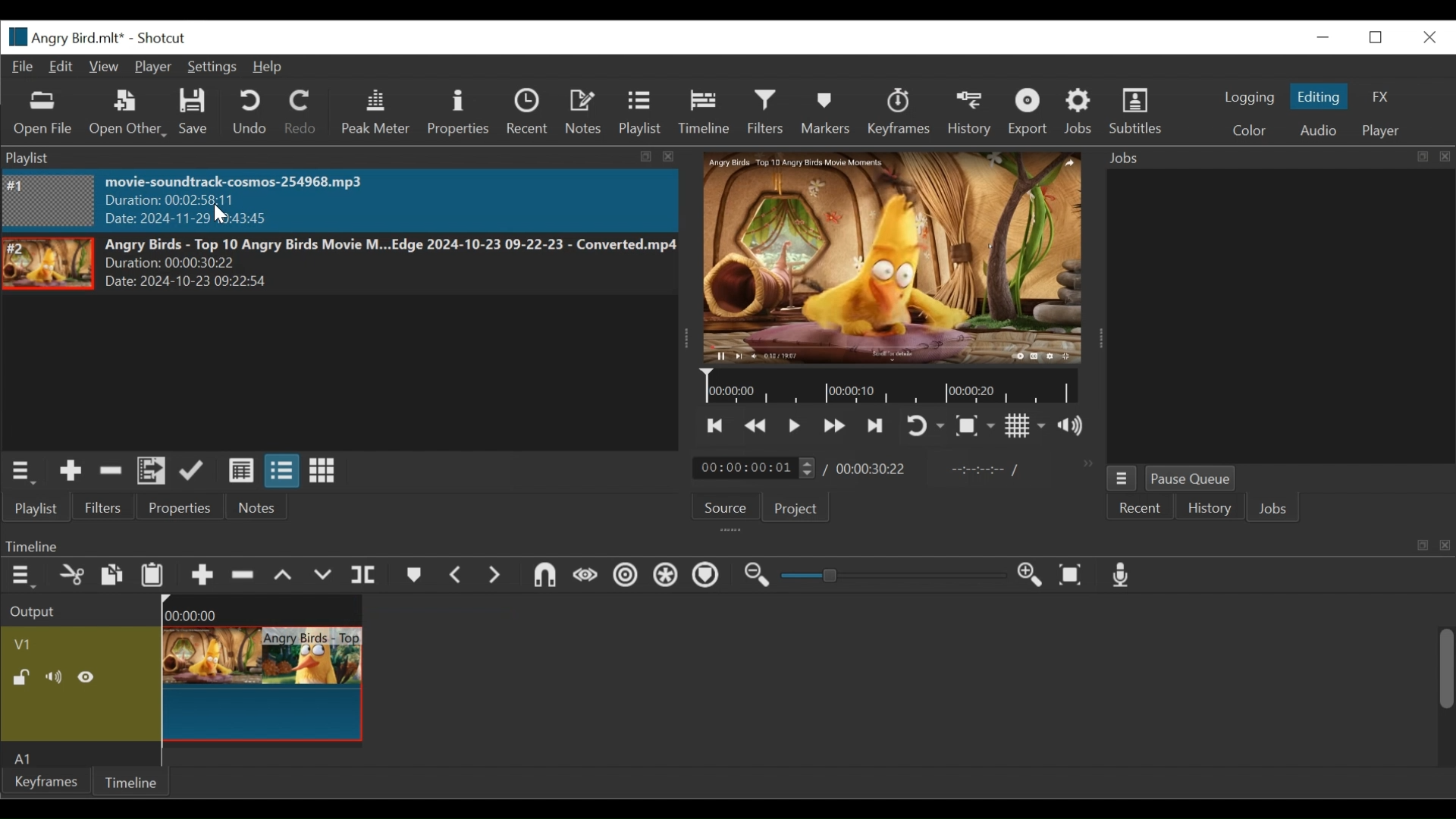  I want to click on Toggle Zoom, so click(977, 427).